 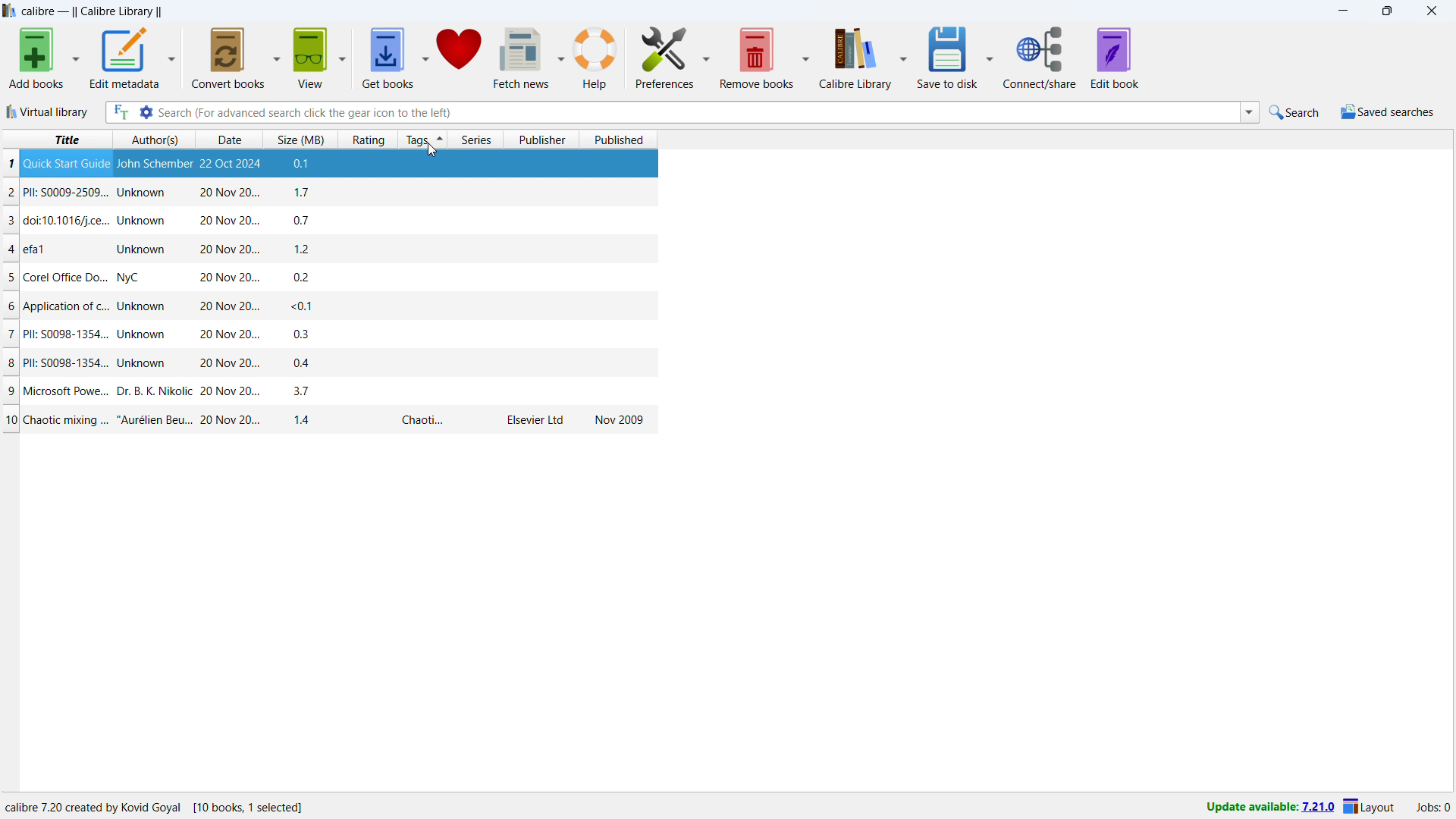 What do you see at coordinates (324, 249) in the screenshot?
I see `one book entry` at bounding box center [324, 249].